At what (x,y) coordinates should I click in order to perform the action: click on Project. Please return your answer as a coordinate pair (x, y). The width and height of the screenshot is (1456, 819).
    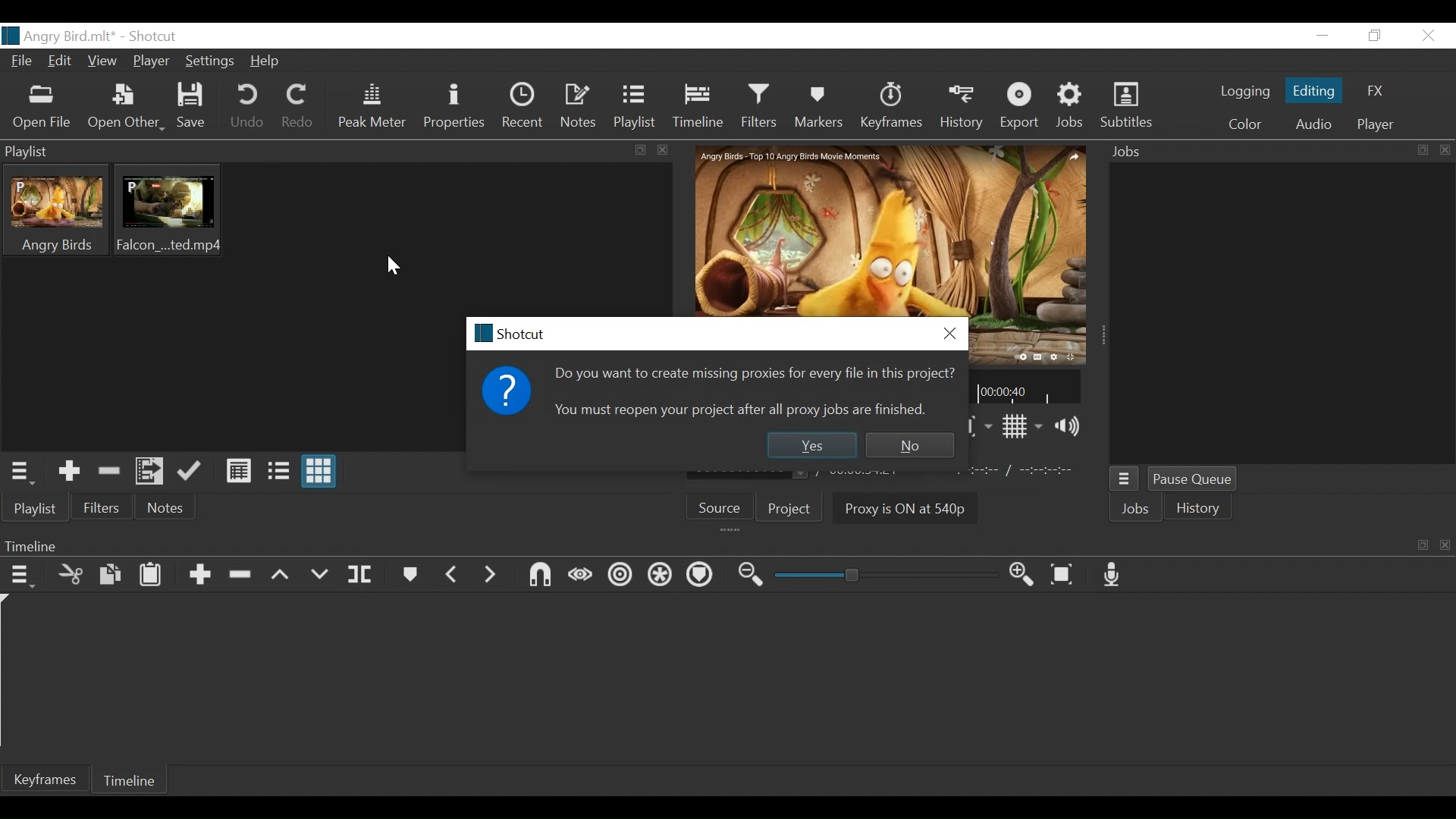
    Looking at the image, I should click on (795, 509).